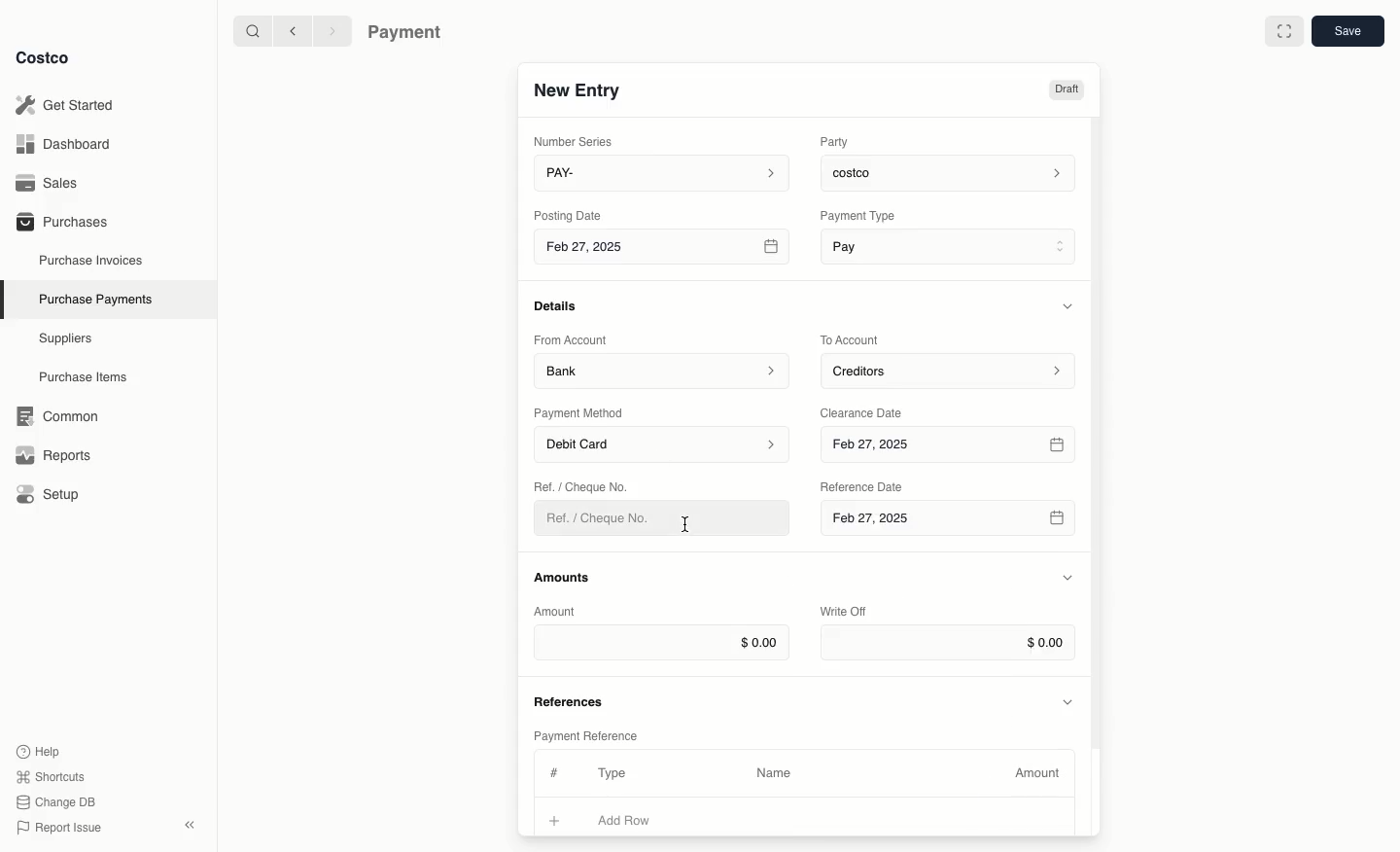 This screenshot has width=1400, height=852. What do you see at coordinates (1040, 773) in the screenshot?
I see `Amount` at bounding box center [1040, 773].